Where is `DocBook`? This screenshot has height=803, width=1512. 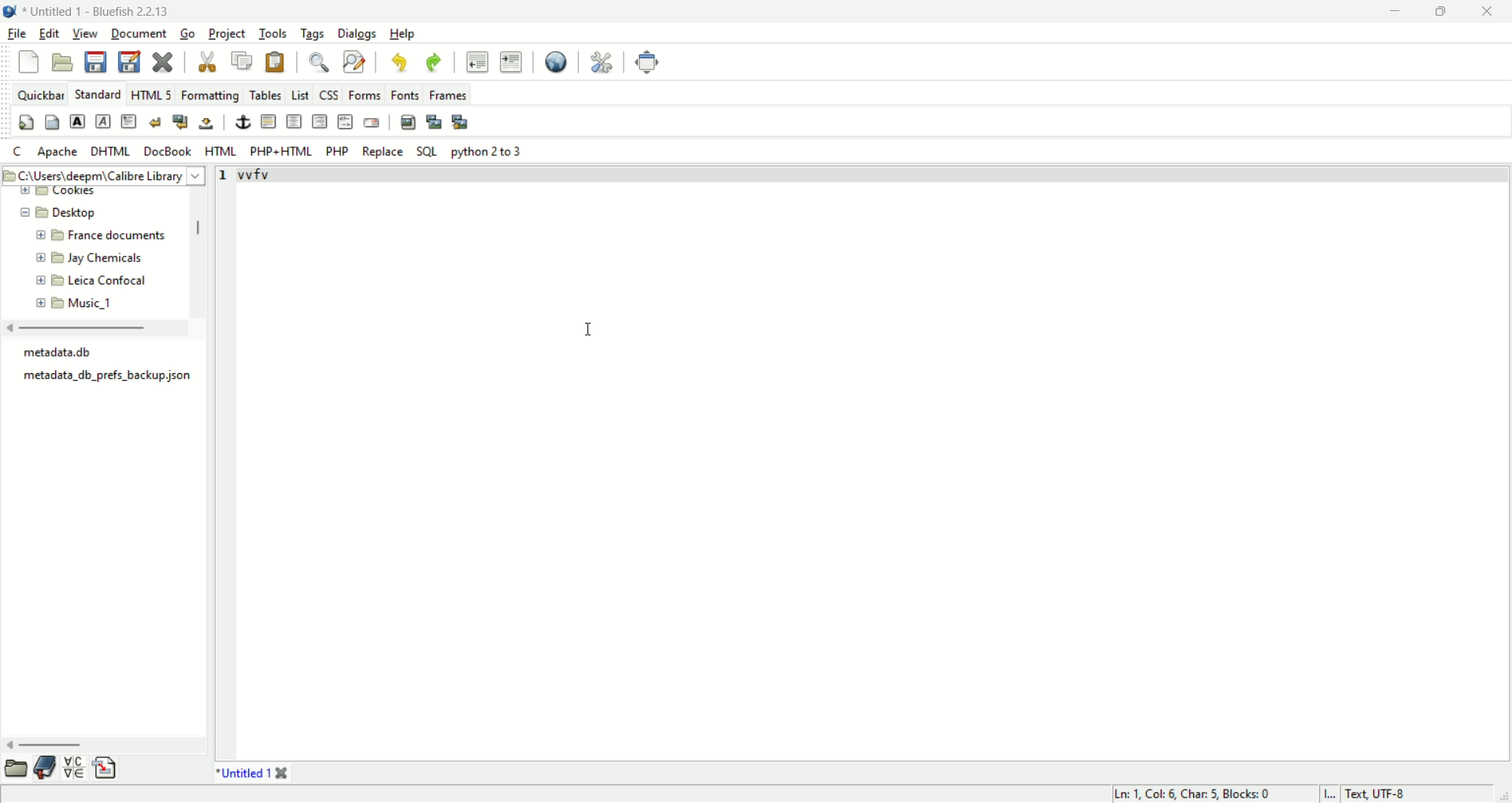
DocBook is located at coordinates (166, 151).